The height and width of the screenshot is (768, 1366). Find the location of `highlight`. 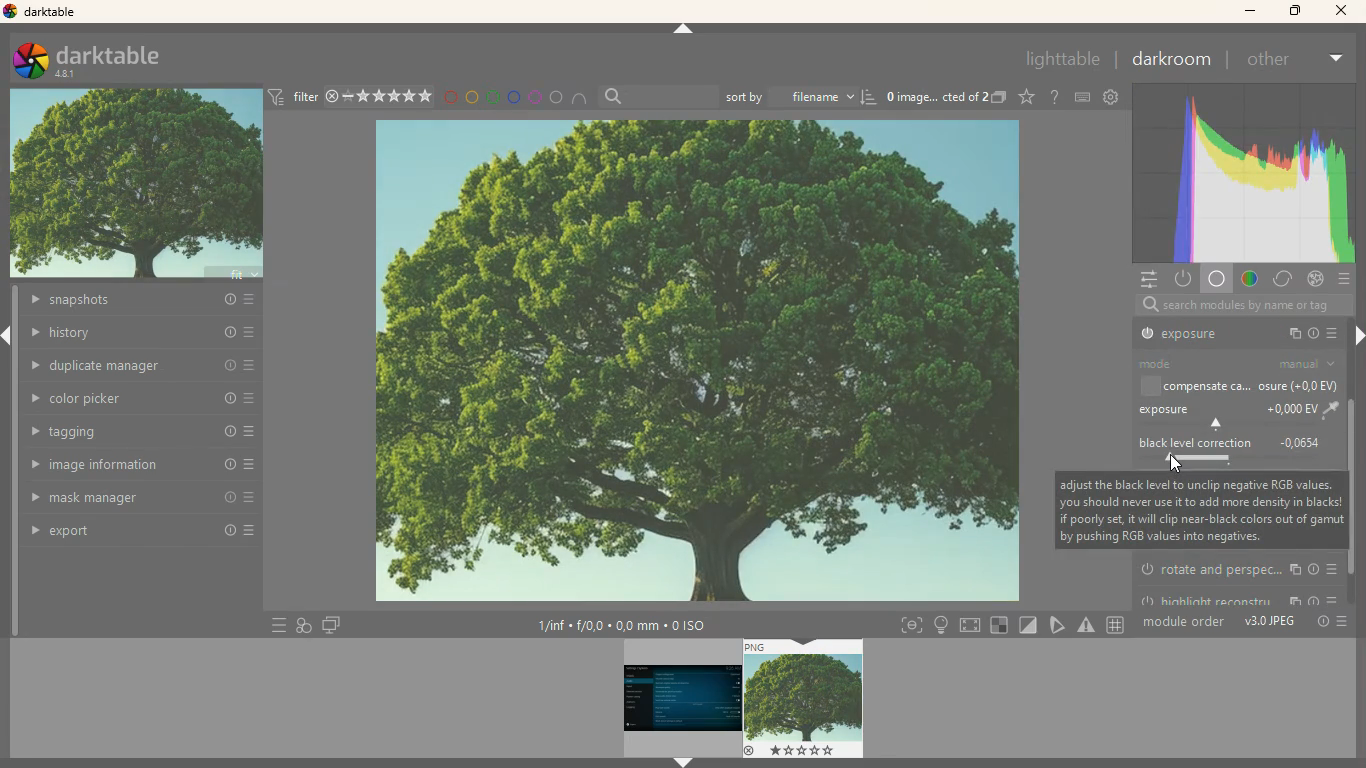

highlight is located at coordinates (1239, 598).